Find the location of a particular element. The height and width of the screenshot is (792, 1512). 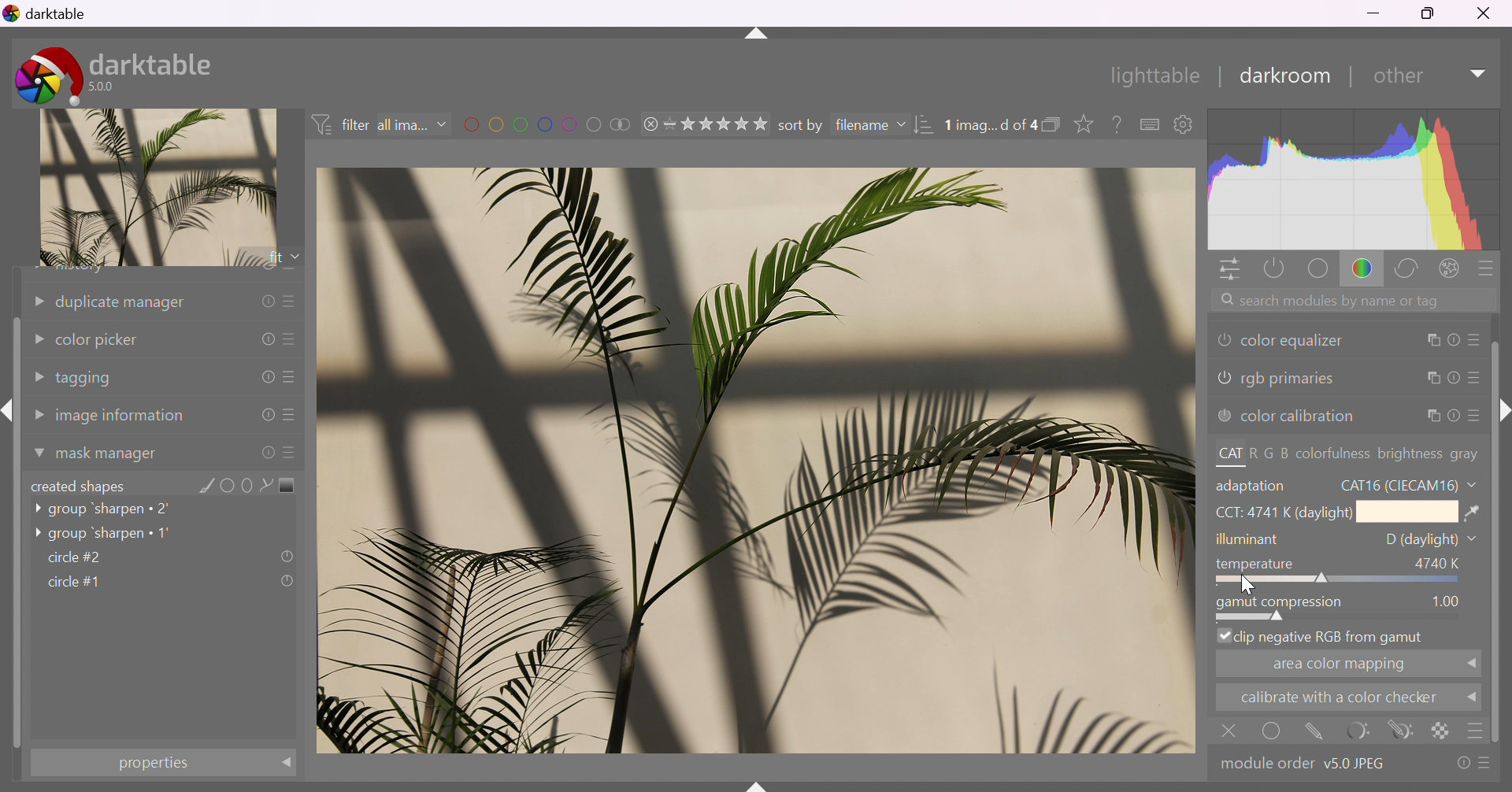

other is located at coordinates (1435, 76).